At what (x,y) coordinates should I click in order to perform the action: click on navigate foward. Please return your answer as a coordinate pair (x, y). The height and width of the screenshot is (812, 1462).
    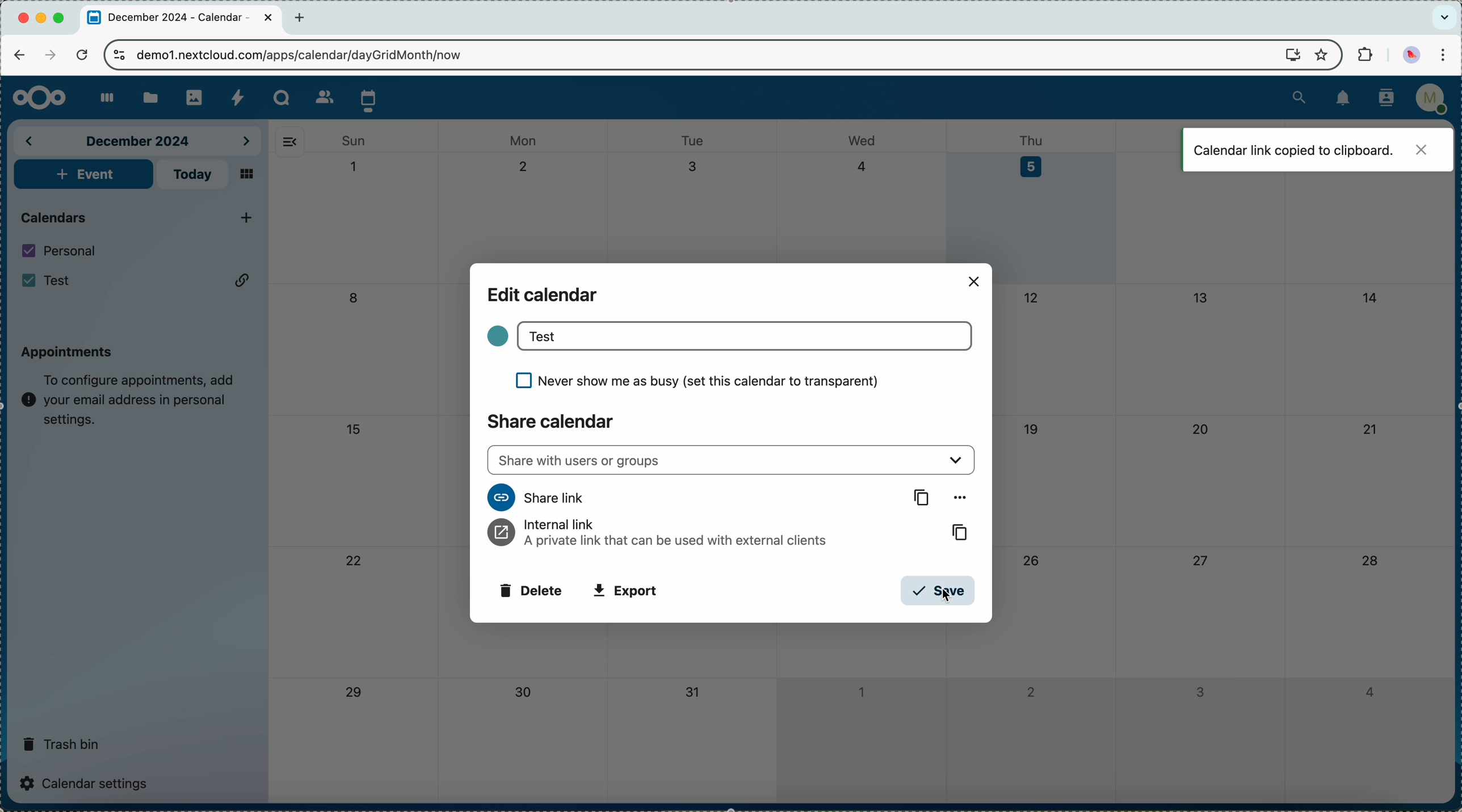
    Looking at the image, I should click on (48, 55).